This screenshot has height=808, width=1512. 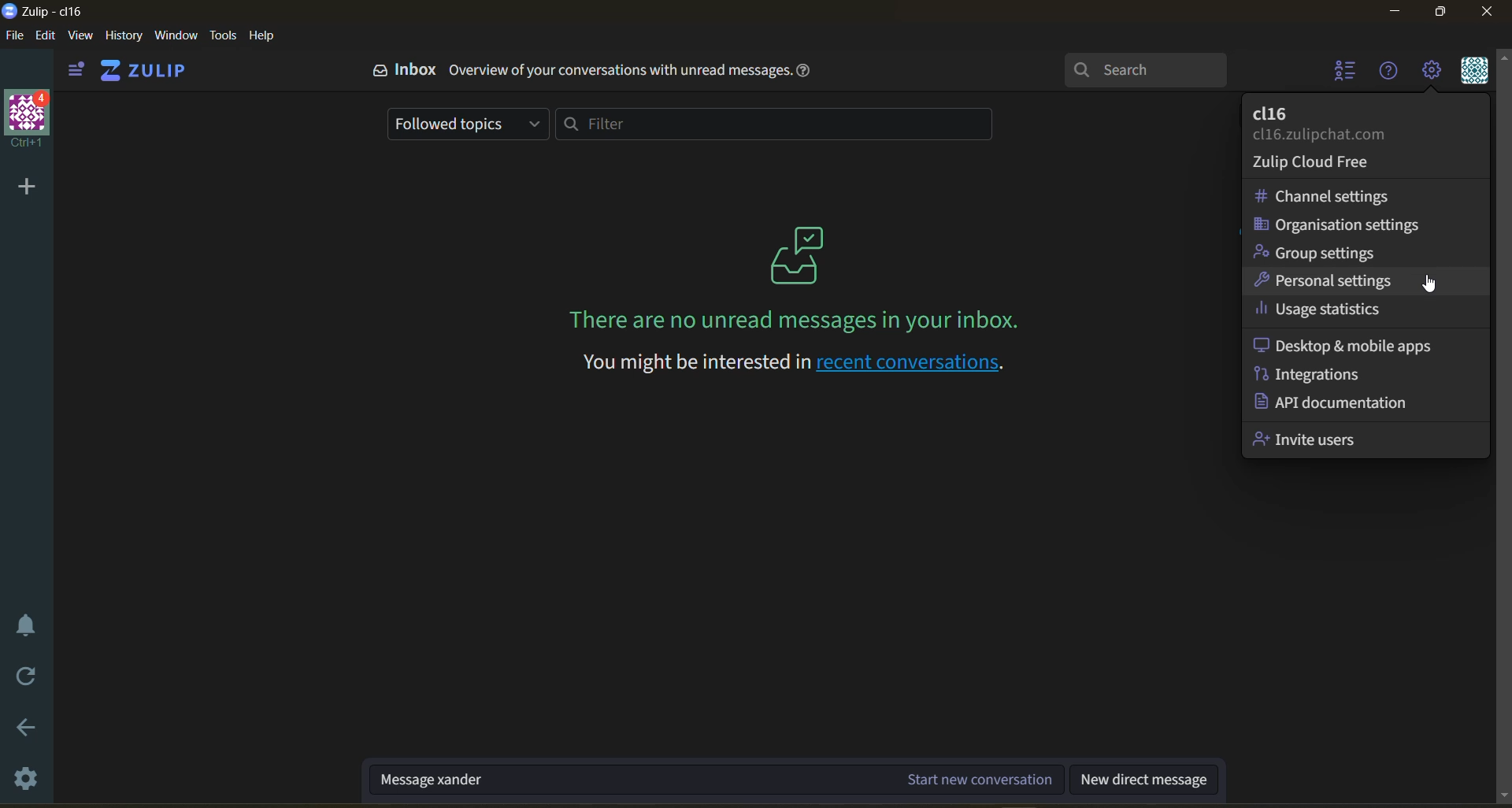 I want to click on home view, so click(x=147, y=70).